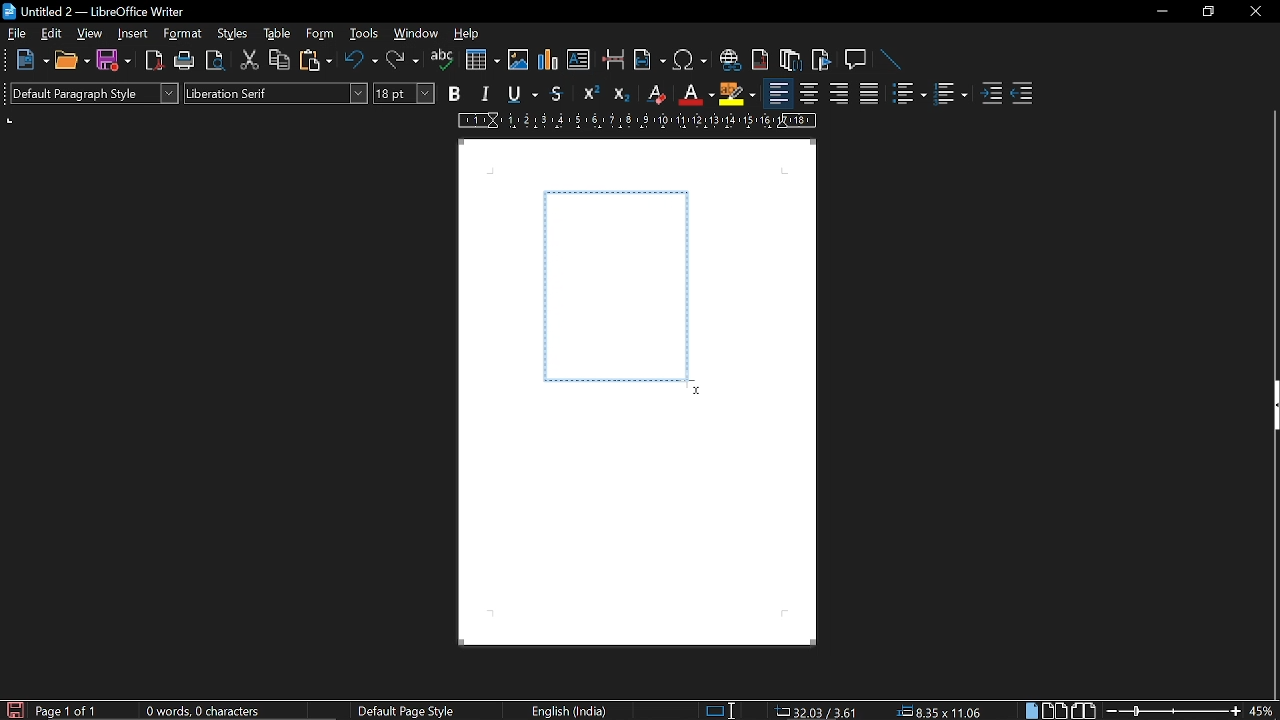 The image size is (1280, 720). What do you see at coordinates (778, 94) in the screenshot?
I see `align left` at bounding box center [778, 94].